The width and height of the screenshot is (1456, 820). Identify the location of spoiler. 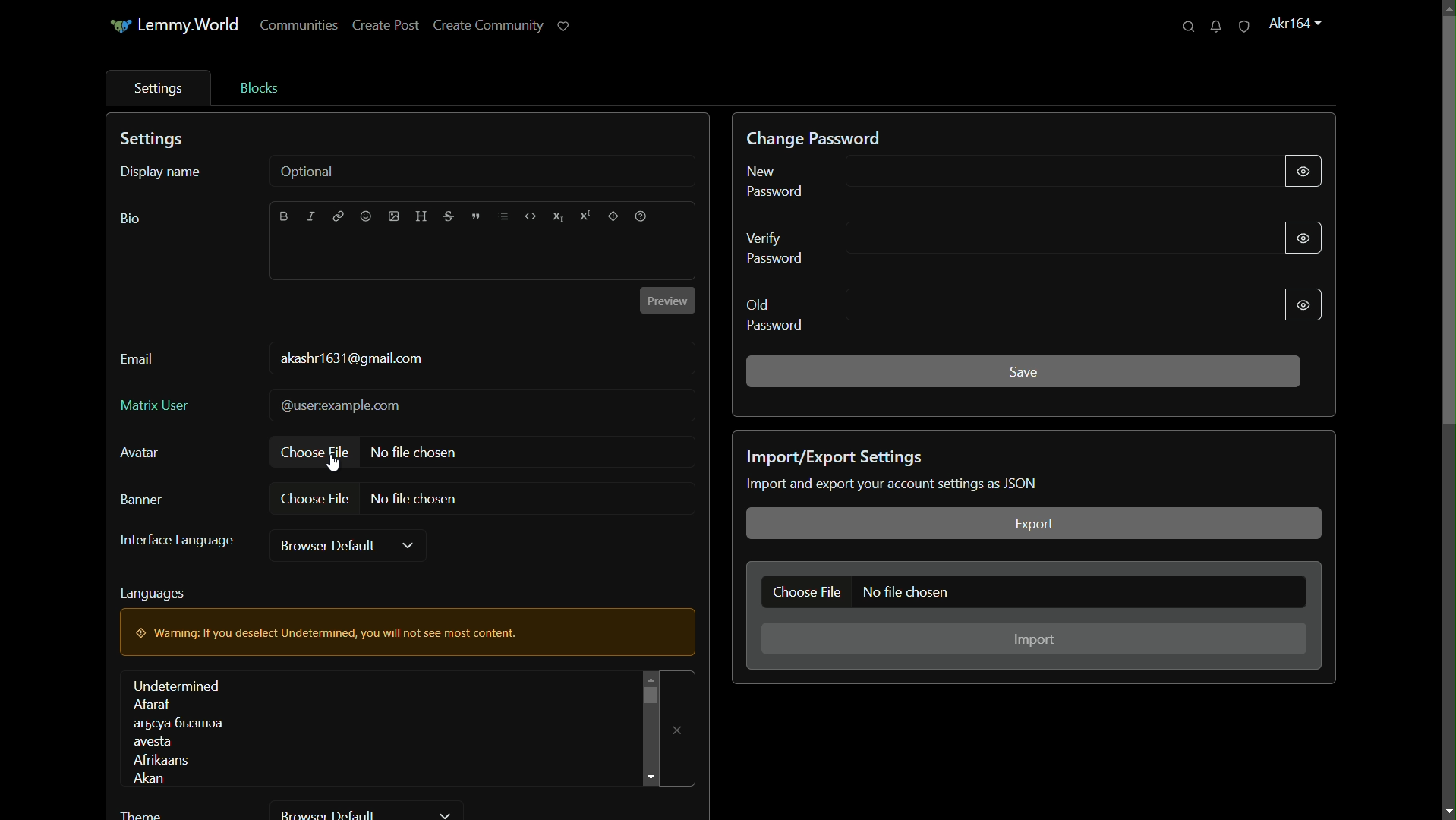
(614, 217).